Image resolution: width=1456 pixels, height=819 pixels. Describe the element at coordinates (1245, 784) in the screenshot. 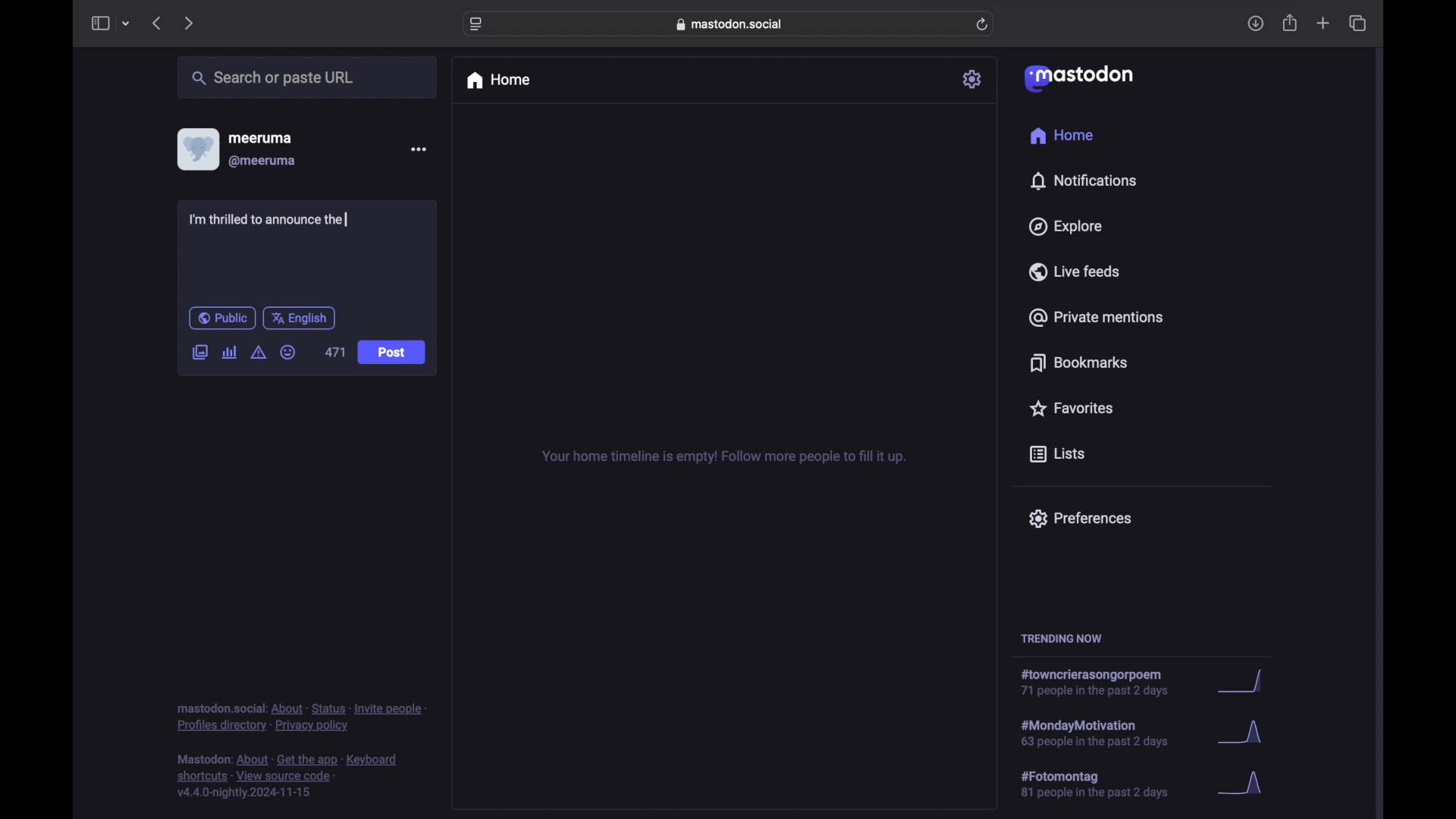

I see `graph` at that location.